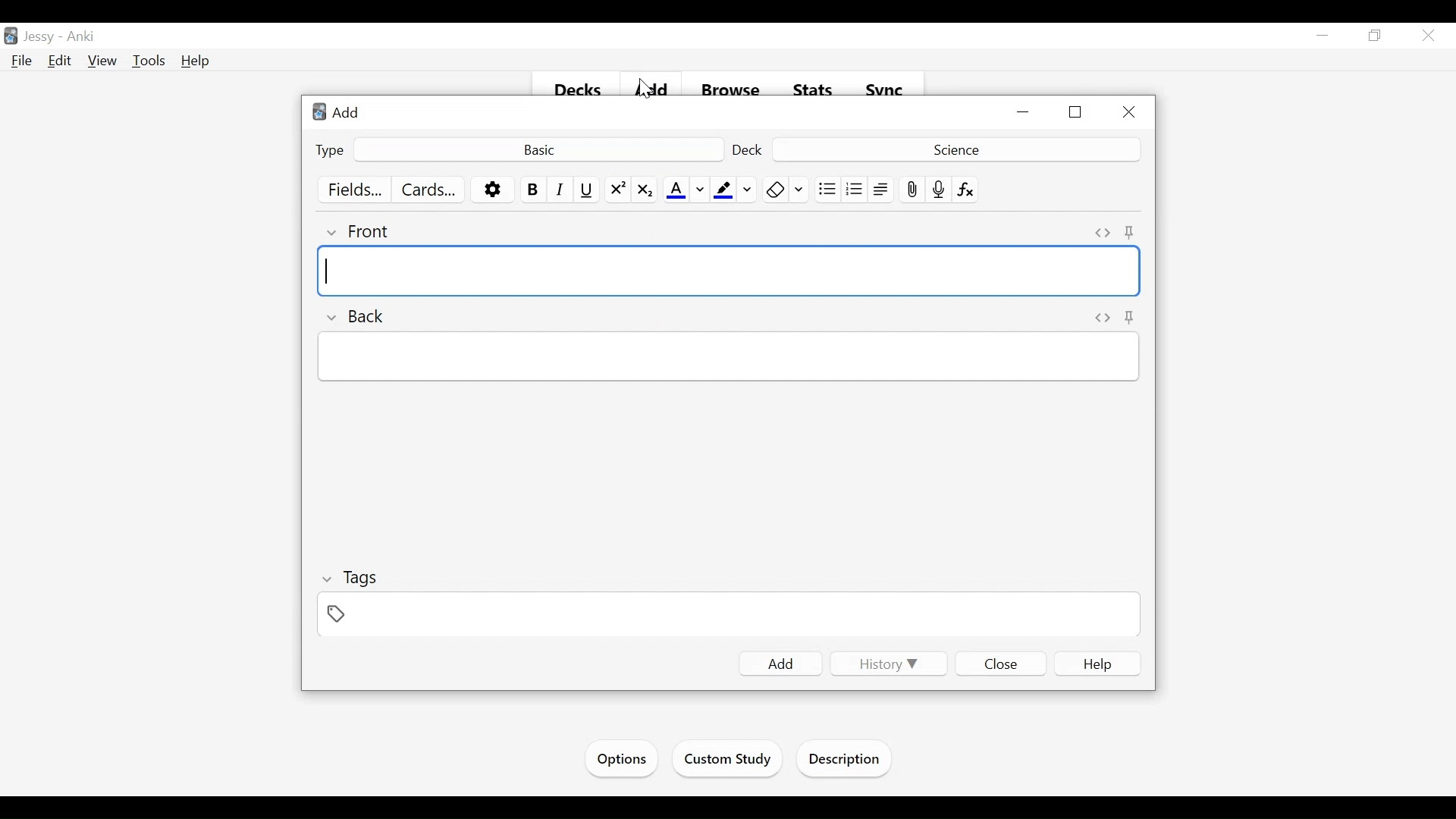 This screenshot has height=819, width=1456. What do you see at coordinates (800, 190) in the screenshot?
I see `Change color` at bounding box center [800, 190].